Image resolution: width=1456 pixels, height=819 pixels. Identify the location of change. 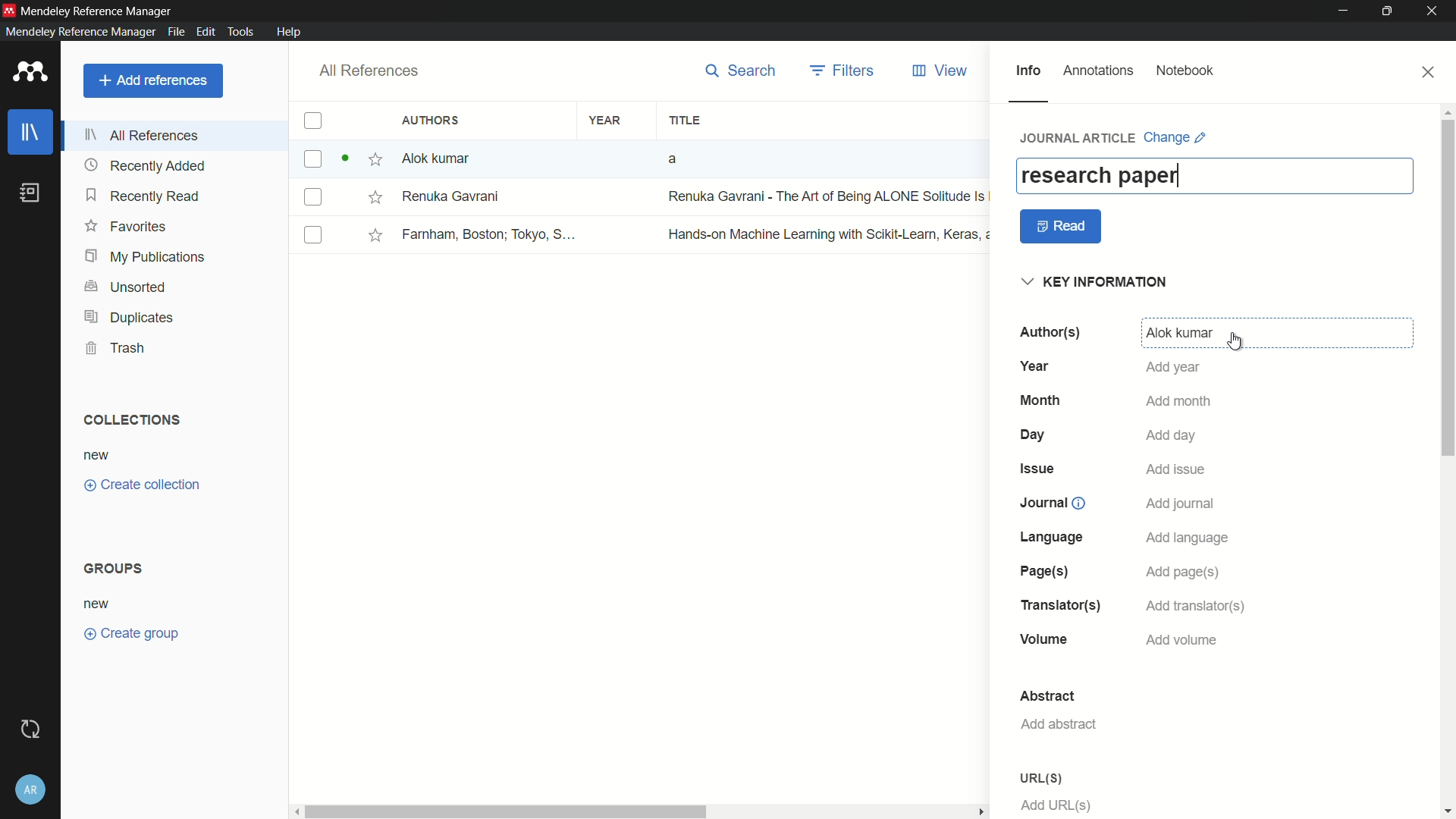
(1175, 137).